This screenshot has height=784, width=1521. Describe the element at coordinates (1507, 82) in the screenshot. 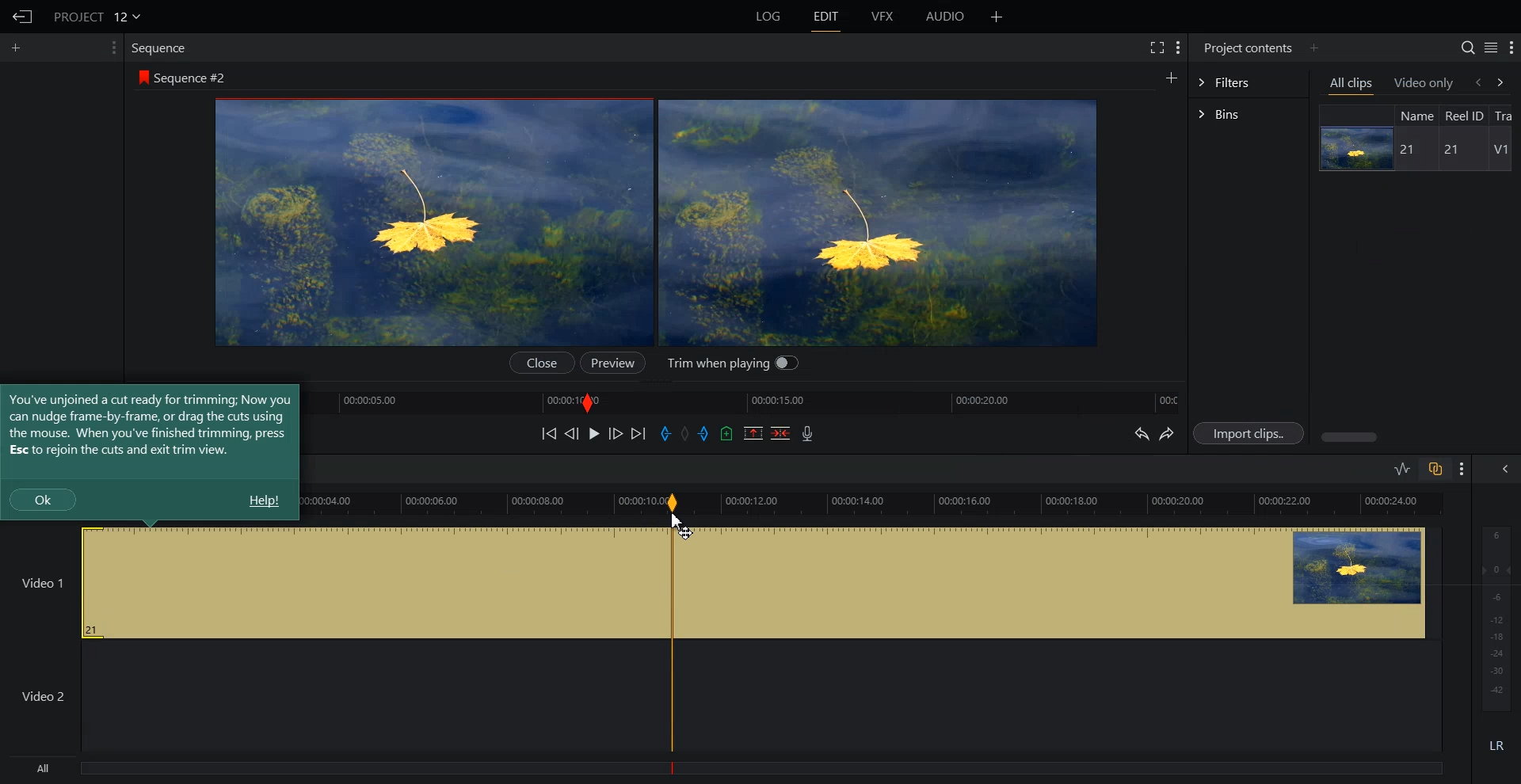

I see `forward` at that location.